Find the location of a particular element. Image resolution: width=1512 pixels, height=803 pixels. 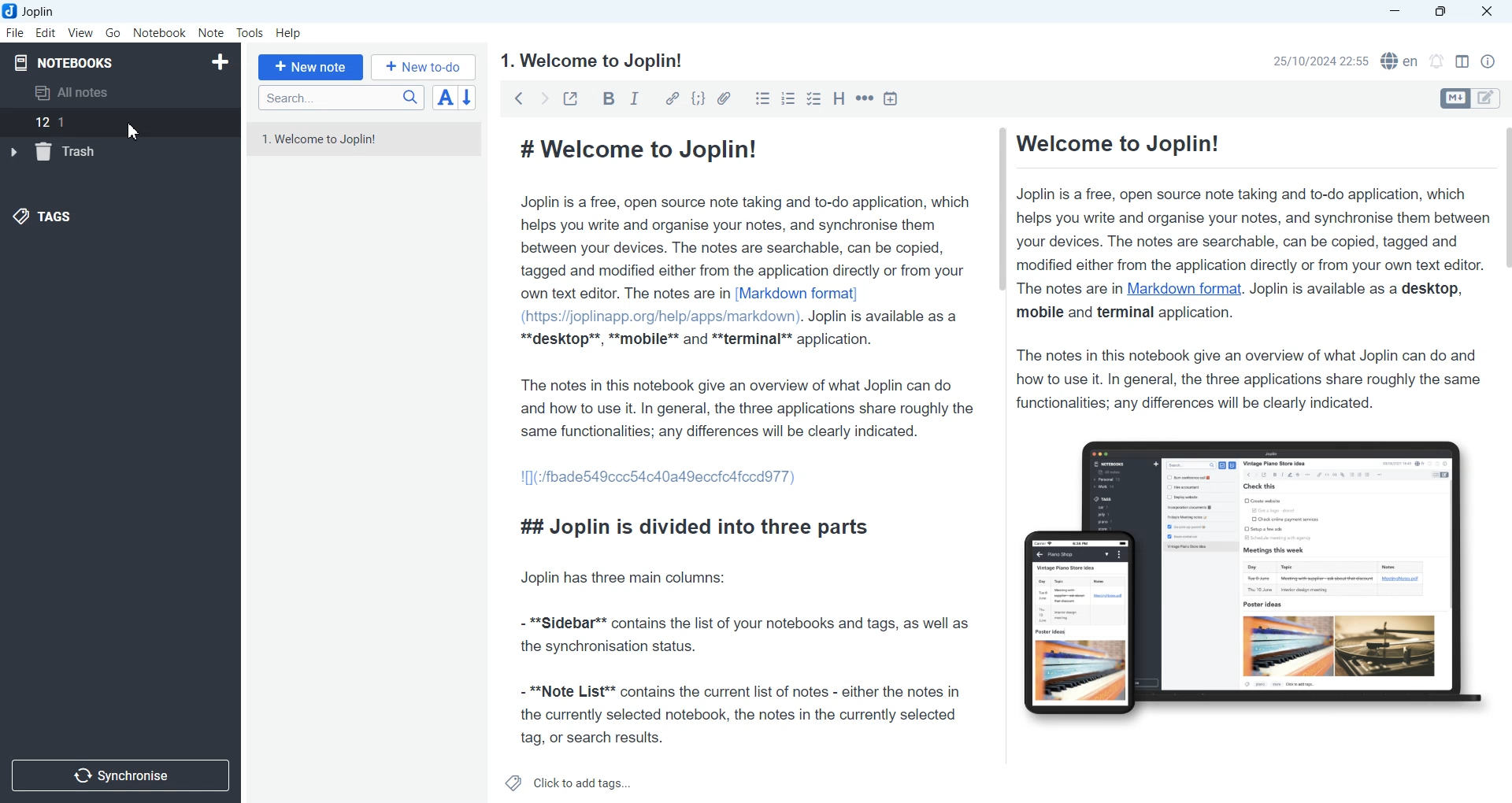

Minimize is located at coordinates (1395, 12).